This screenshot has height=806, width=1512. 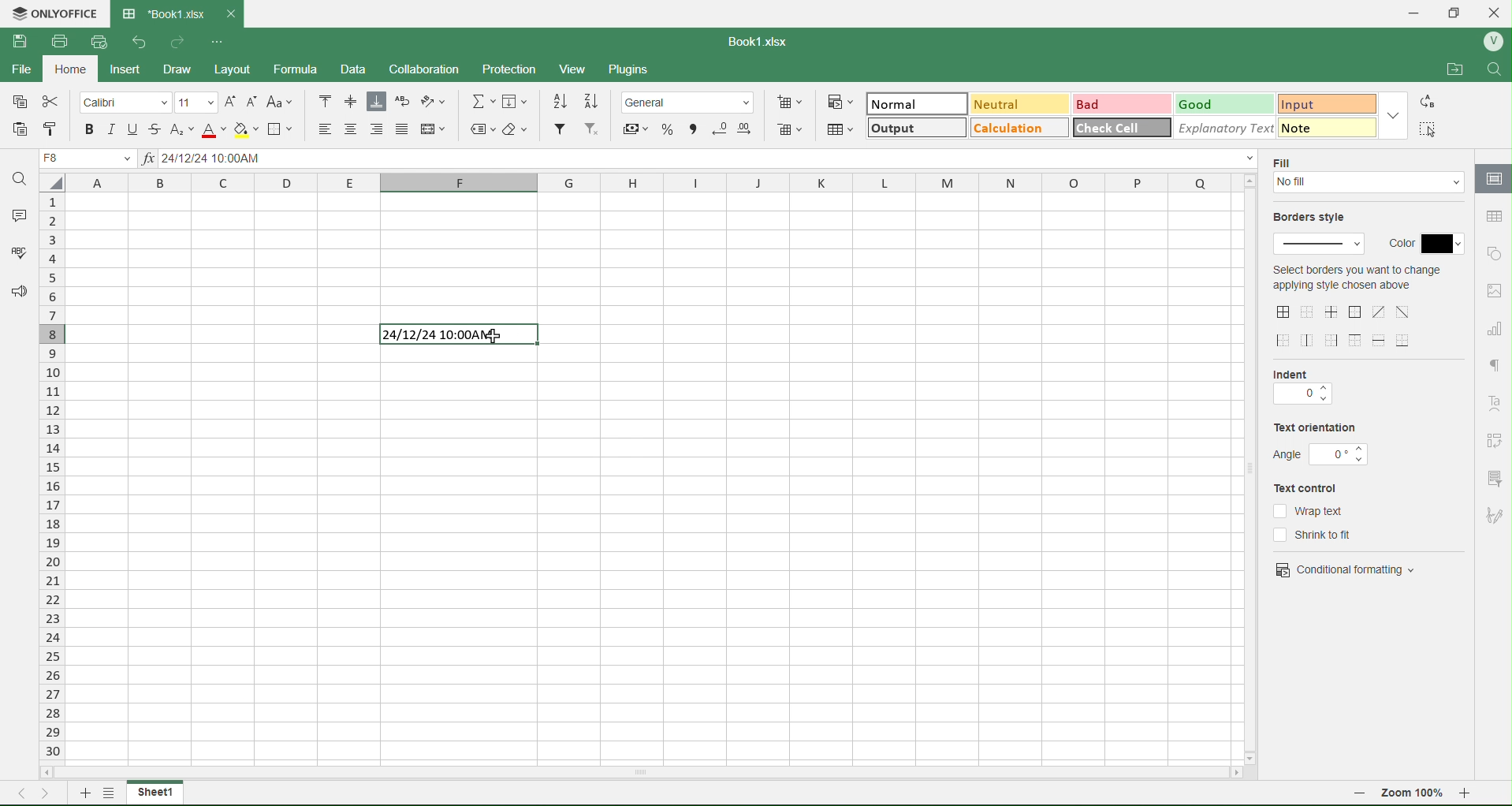 I want to click on Collaboration, so click(x=434, y=69).